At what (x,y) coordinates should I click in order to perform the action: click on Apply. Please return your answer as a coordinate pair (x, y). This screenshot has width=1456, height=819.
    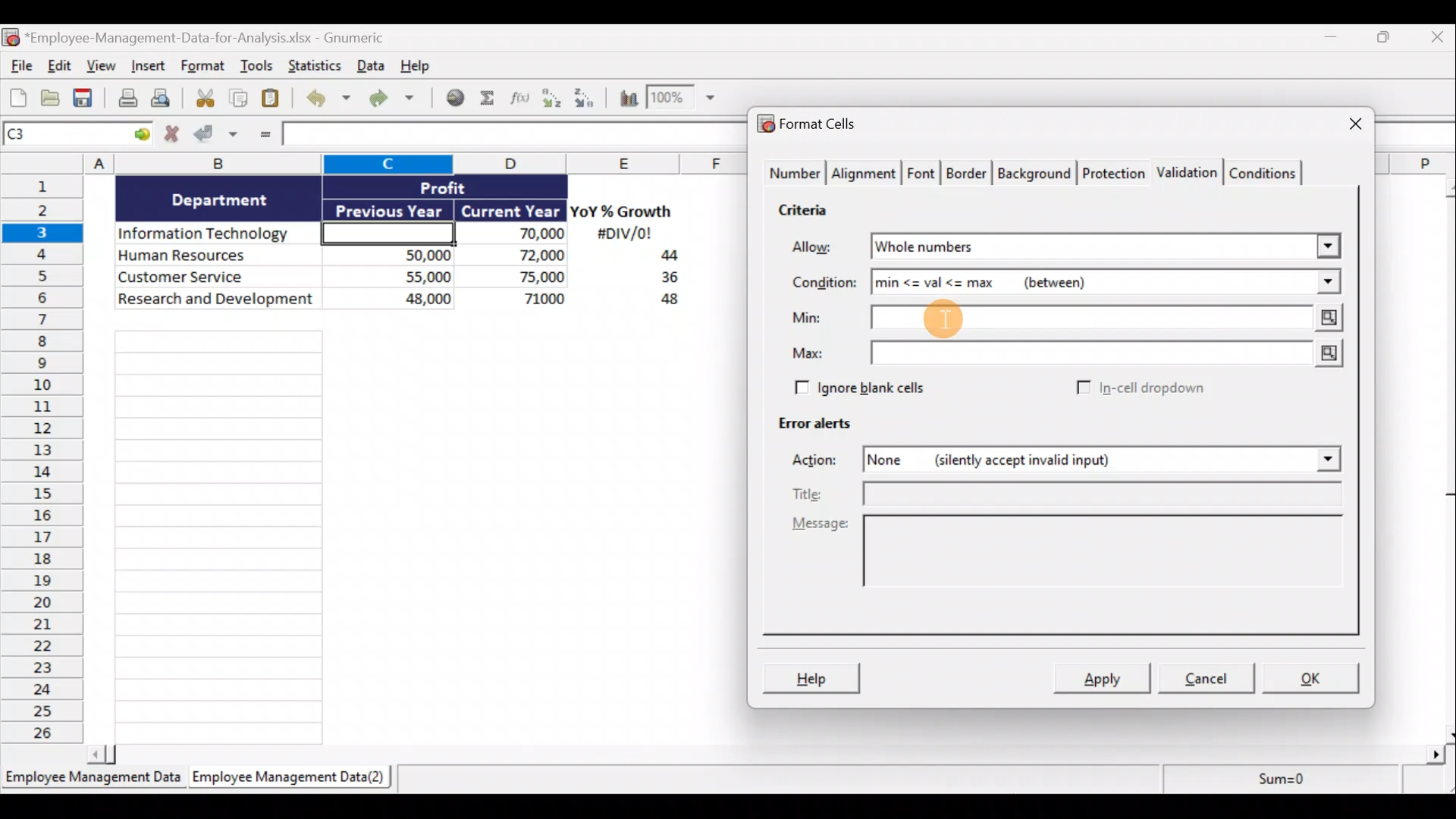
    Looking at the image, I should click on (1103, 679).